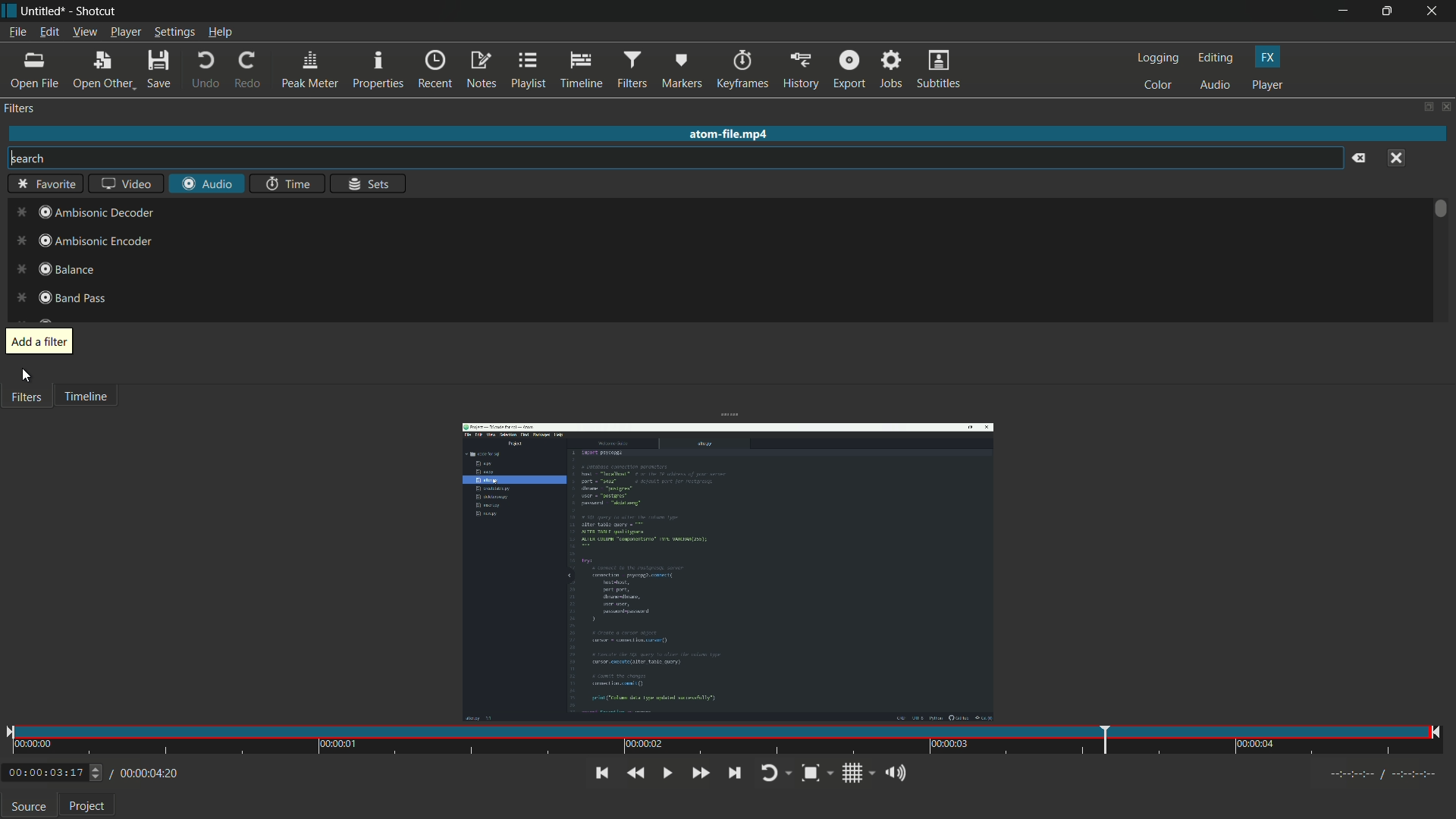  Describe the element at coordinates (1159, 58) in the screenshot. I see `logging` at that location.